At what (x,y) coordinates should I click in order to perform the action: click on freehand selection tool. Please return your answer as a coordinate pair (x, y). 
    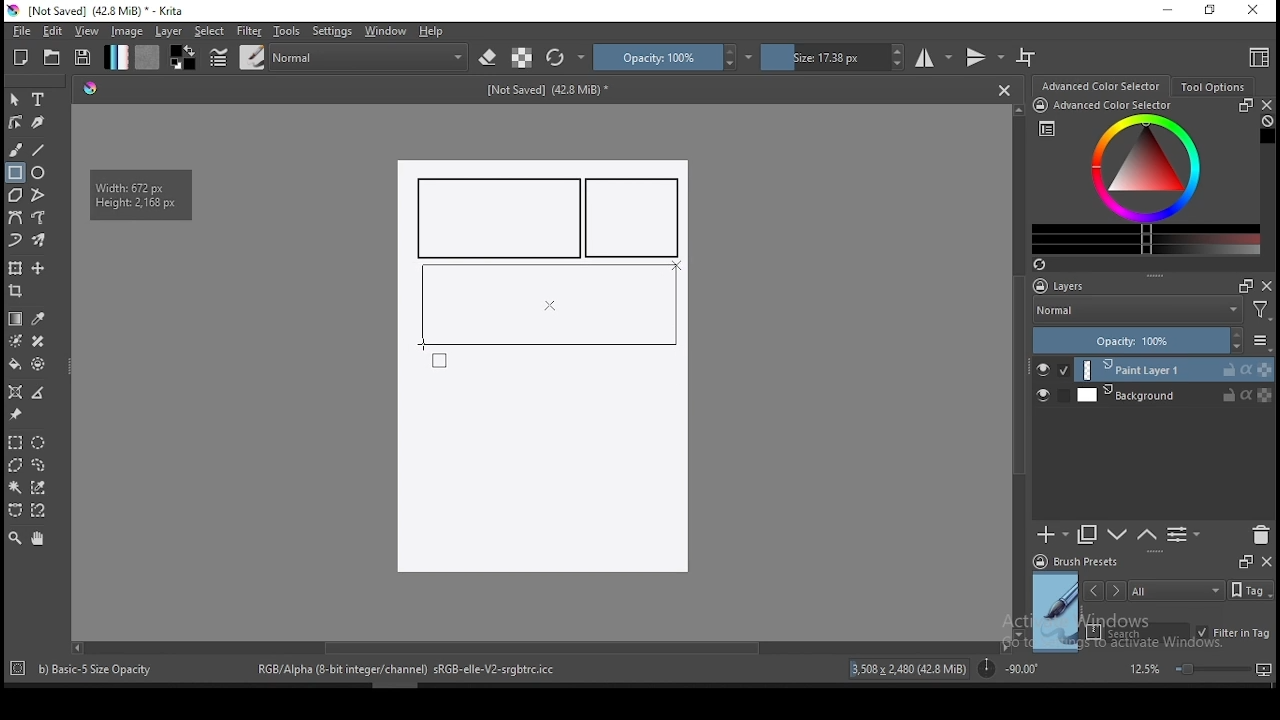
    Looking at the image, I should click on (39, 465).